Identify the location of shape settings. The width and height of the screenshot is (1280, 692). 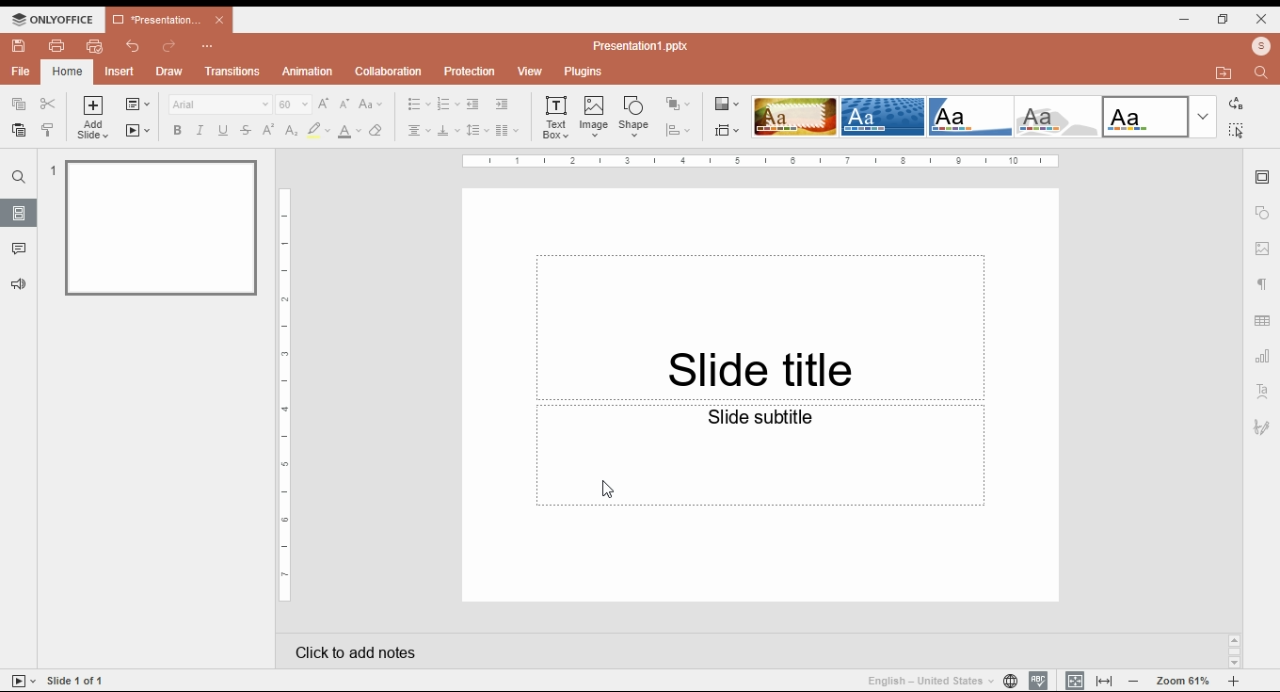
(1263, 213).